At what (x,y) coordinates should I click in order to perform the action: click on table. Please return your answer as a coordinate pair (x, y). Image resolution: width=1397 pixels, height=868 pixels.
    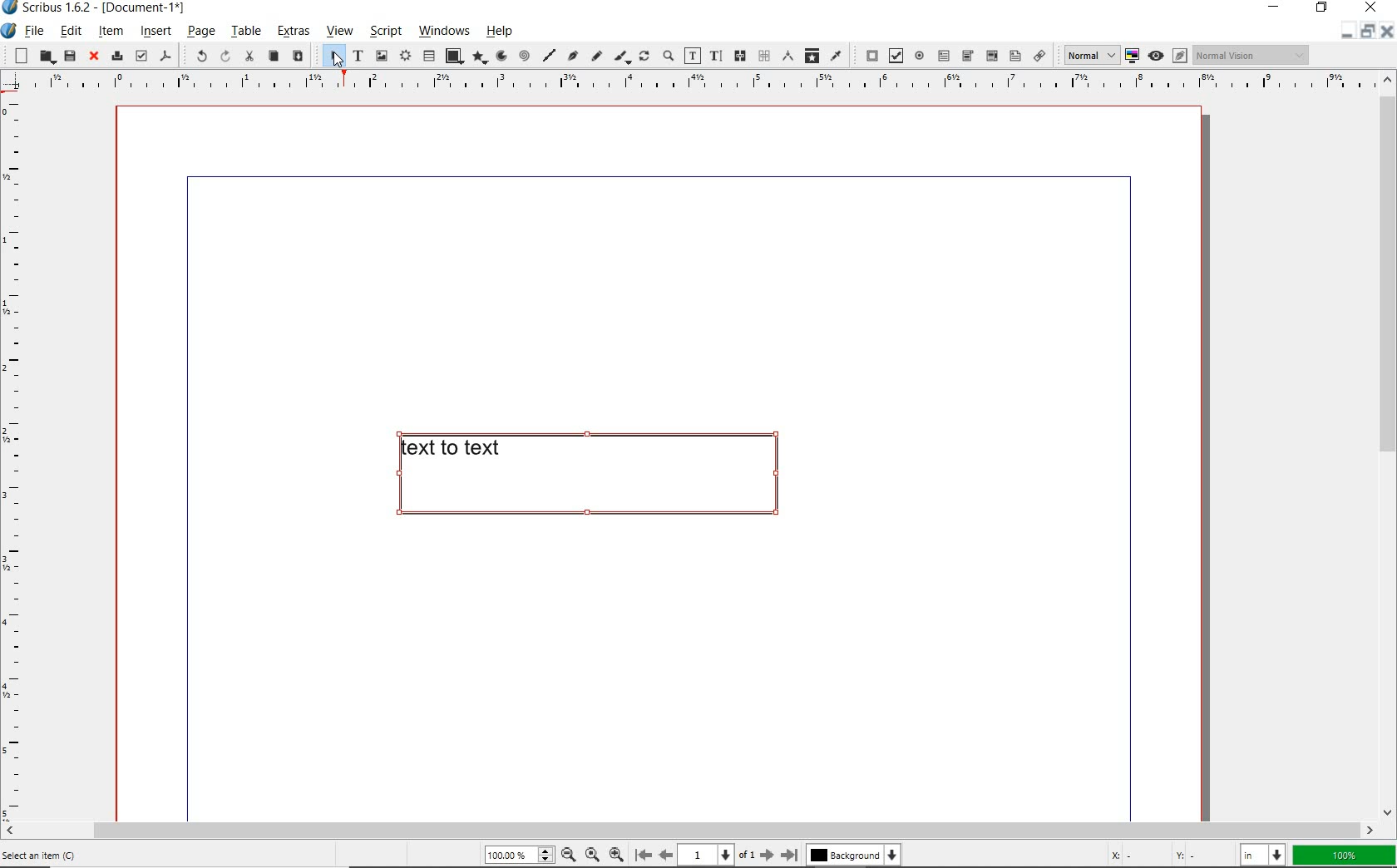
    Looking at the image, I should click on (429, 57).